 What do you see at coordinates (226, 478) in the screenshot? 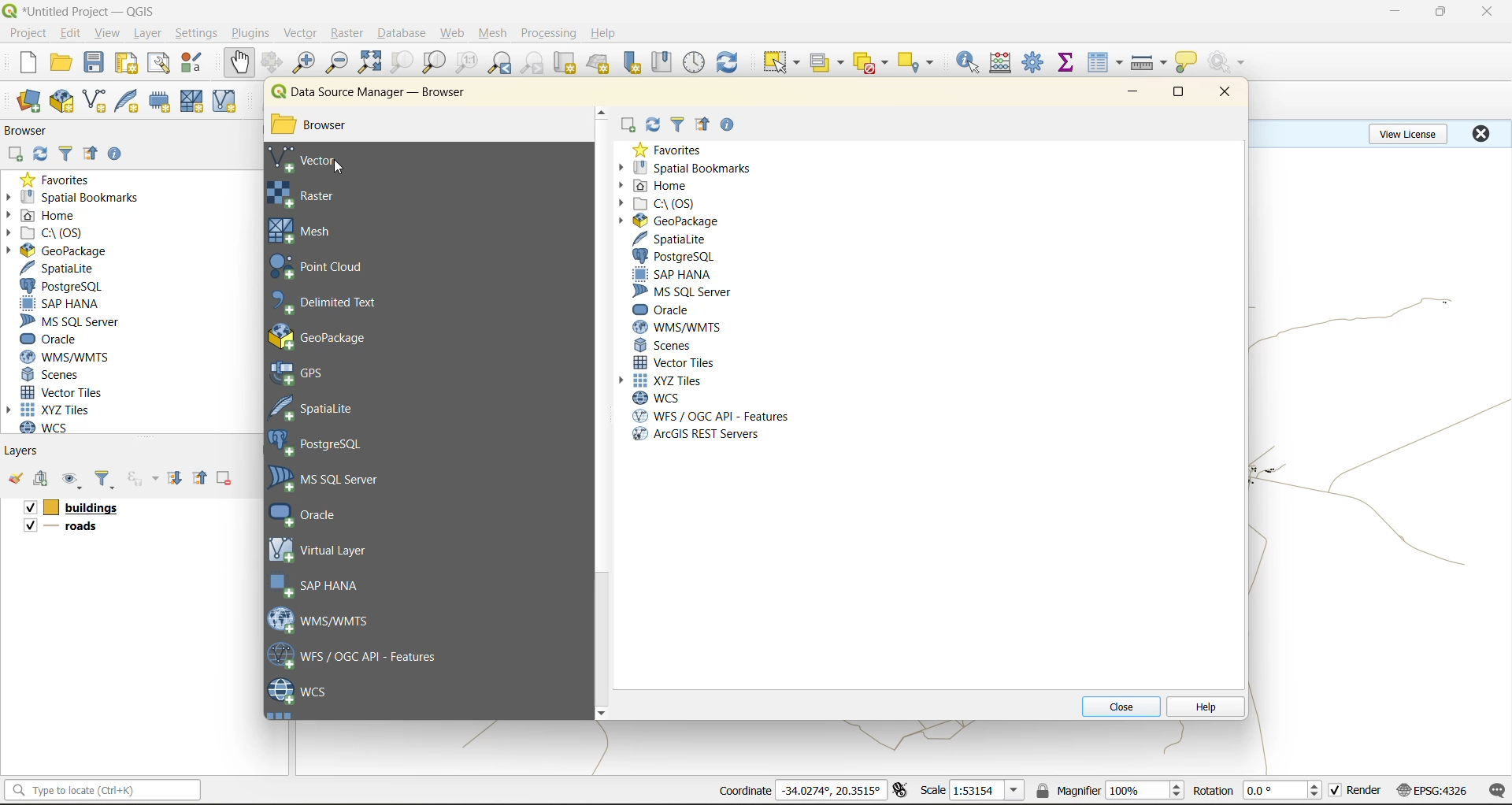
I see `remove layer` at bounding box center [226, 478].